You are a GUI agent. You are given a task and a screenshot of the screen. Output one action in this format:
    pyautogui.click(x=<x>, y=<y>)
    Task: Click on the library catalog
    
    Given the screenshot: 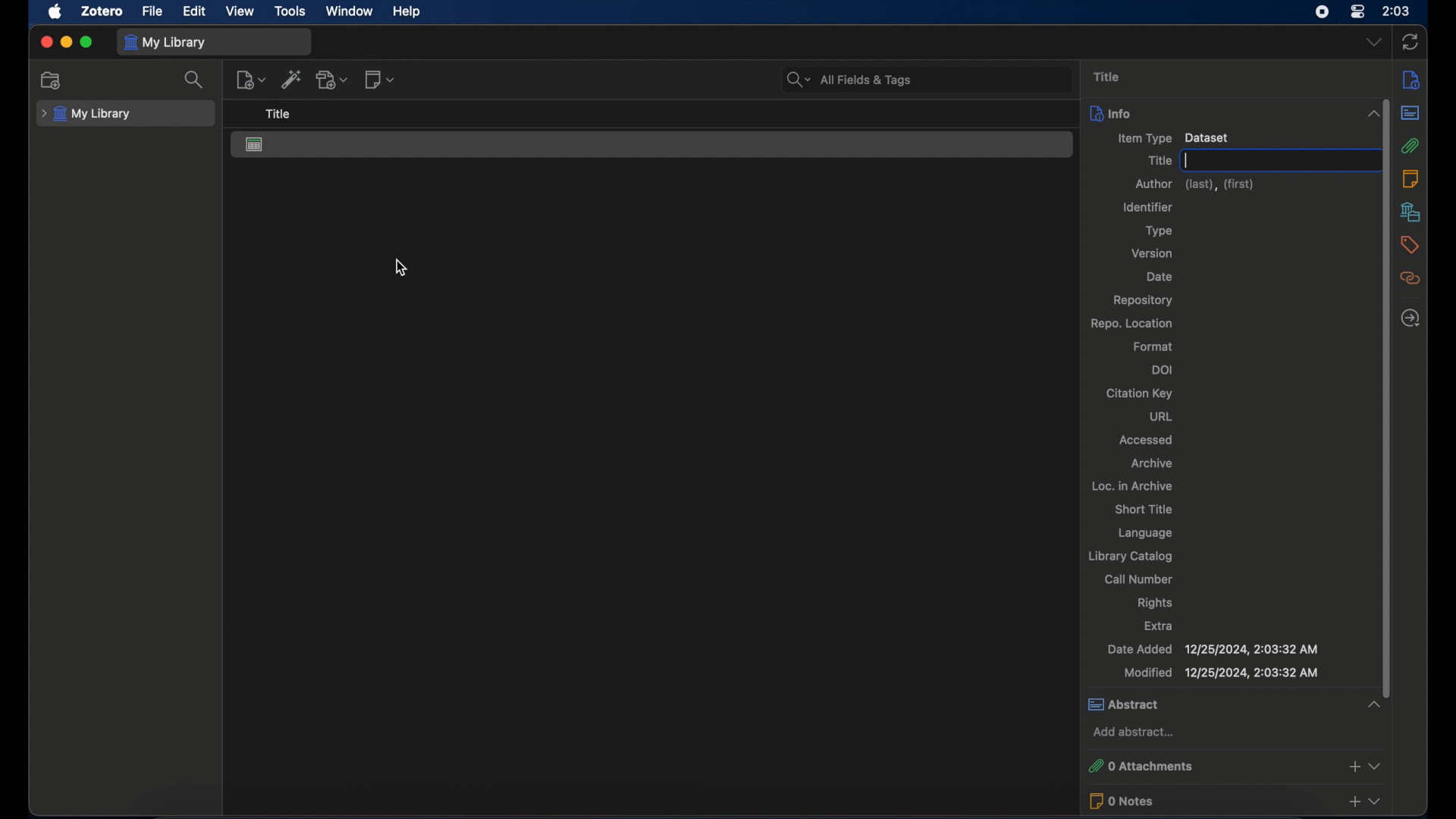 What is the action you would take?
    pyautogui.click(x=1129, y=556)
    